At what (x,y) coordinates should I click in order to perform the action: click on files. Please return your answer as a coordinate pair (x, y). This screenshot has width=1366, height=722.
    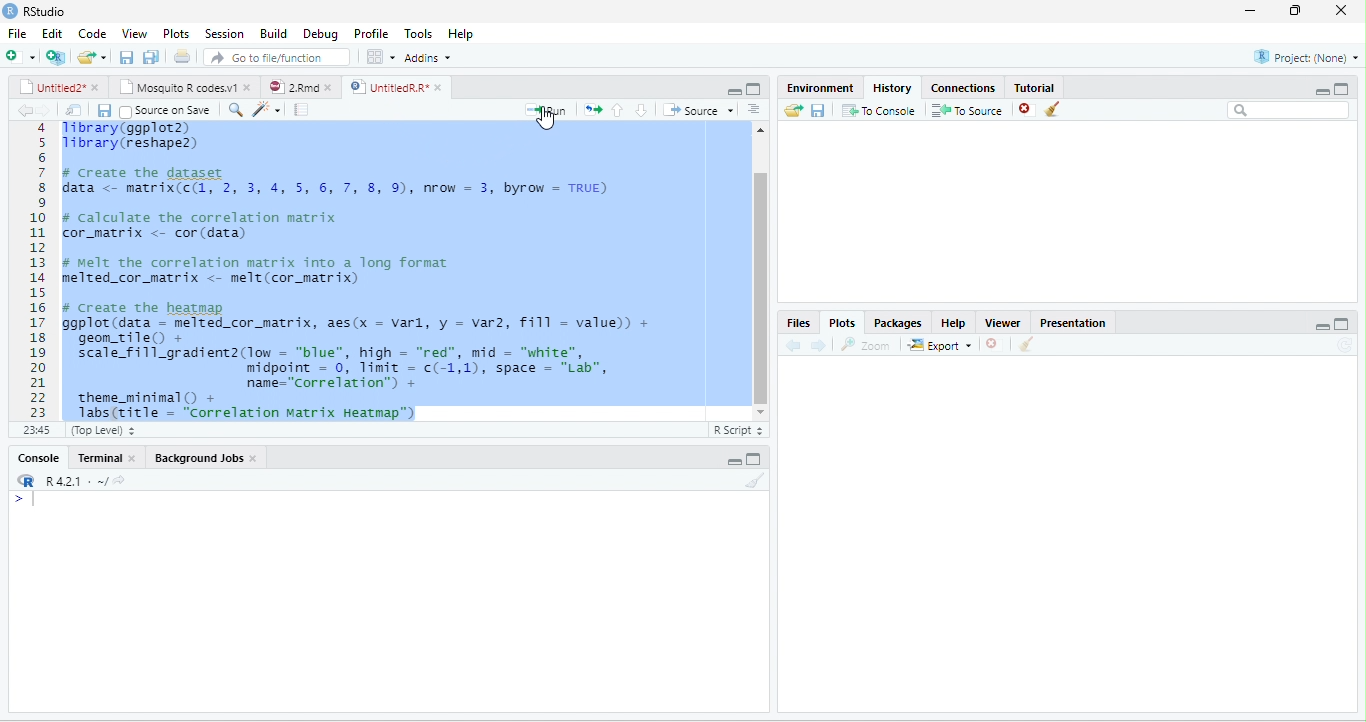
    Looking at the image, I should click on (69, 108).